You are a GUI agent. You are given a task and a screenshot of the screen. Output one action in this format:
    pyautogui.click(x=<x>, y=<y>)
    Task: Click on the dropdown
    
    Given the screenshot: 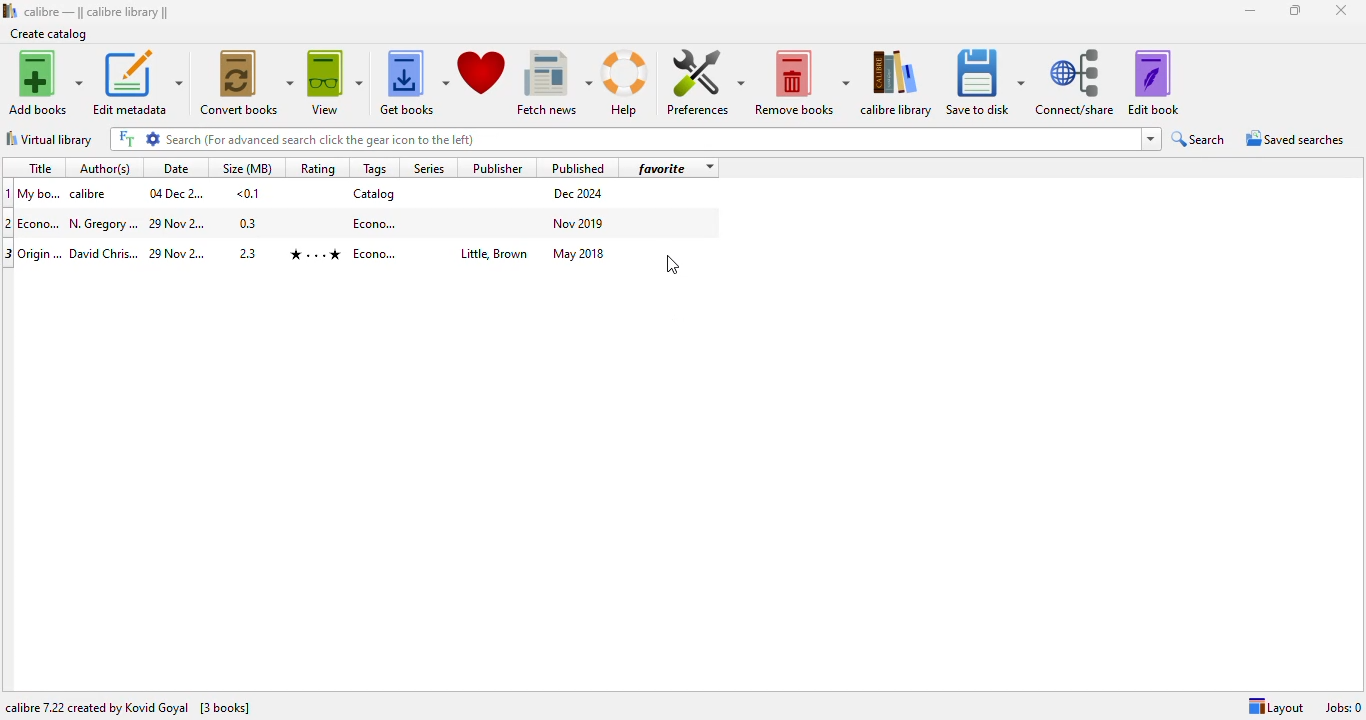 What is the action you would take?
    pyautogui.click(x=1149, y=139)
    